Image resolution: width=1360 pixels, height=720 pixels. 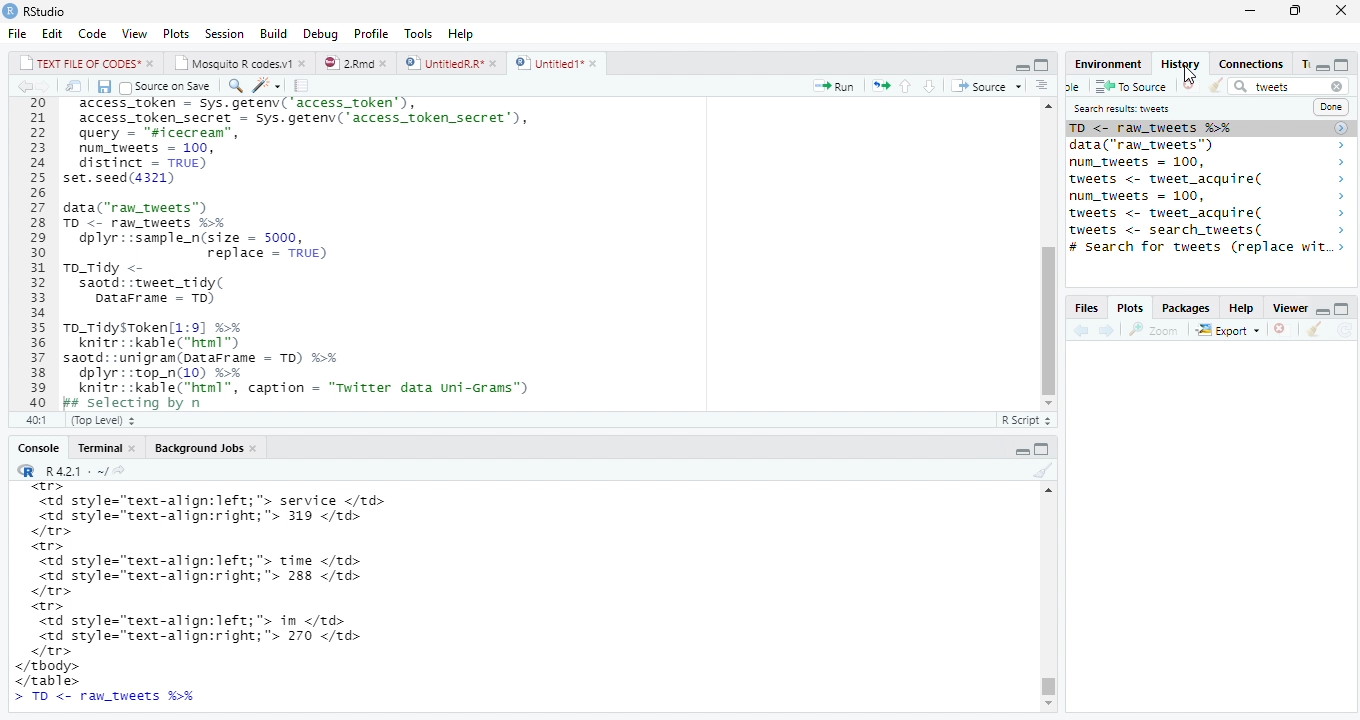 I want to click on ©) Untitied1*, so click(x=563, y=64).